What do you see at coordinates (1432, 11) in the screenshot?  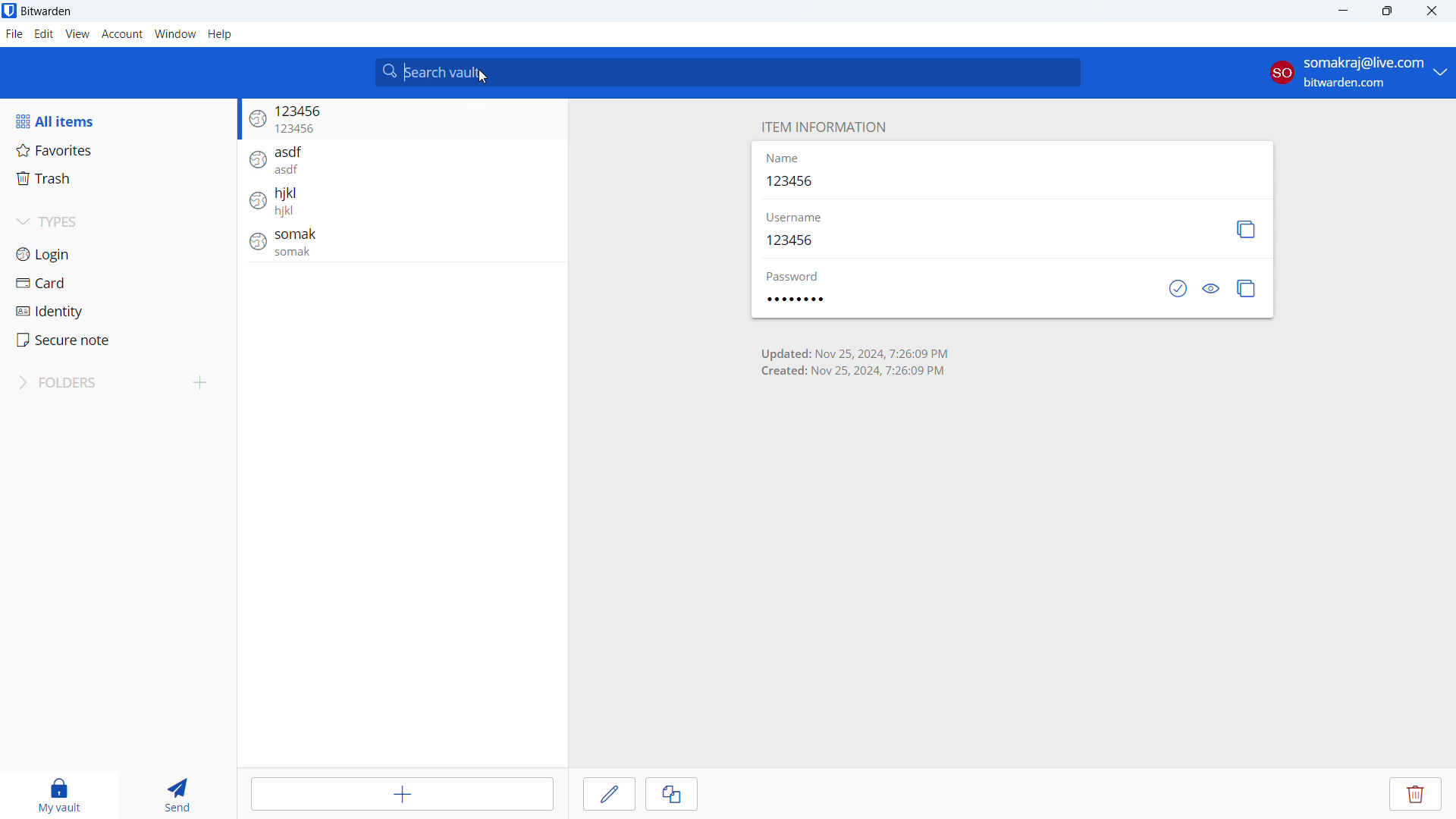 I see `close` at bounding box center [1432, 11].